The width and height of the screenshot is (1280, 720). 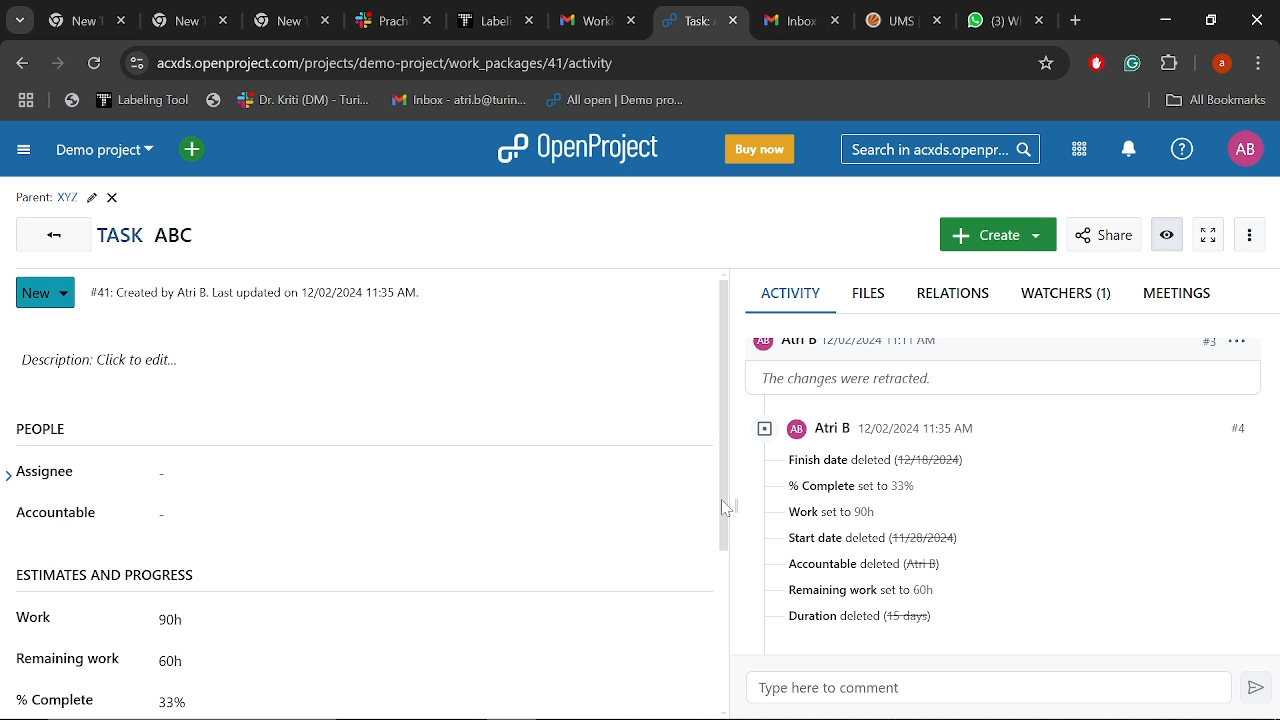 I want to click on #3, so click(x=1208, y=344).